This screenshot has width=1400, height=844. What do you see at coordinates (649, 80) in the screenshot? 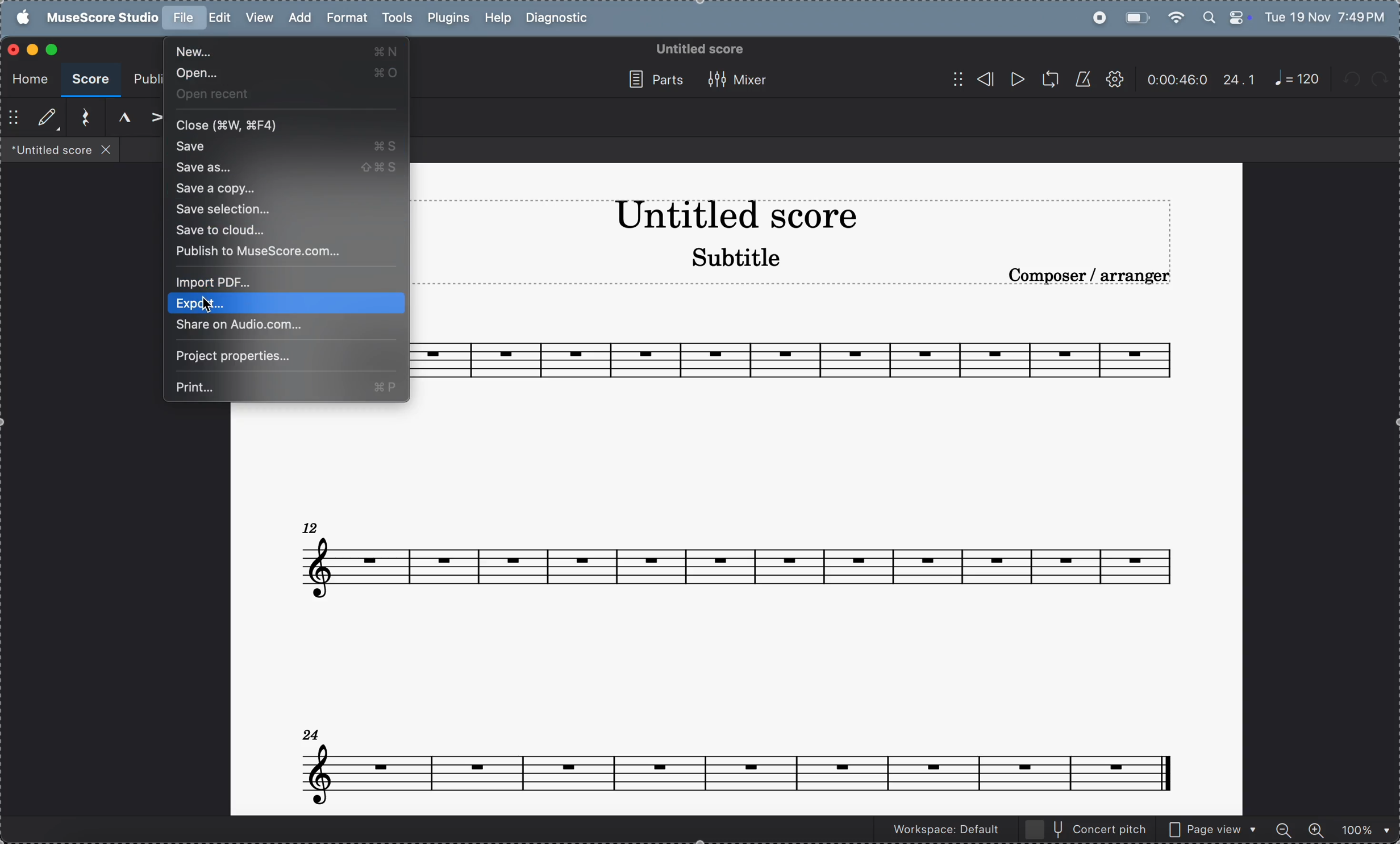
I see `parts` at bounding box center [649, 80].